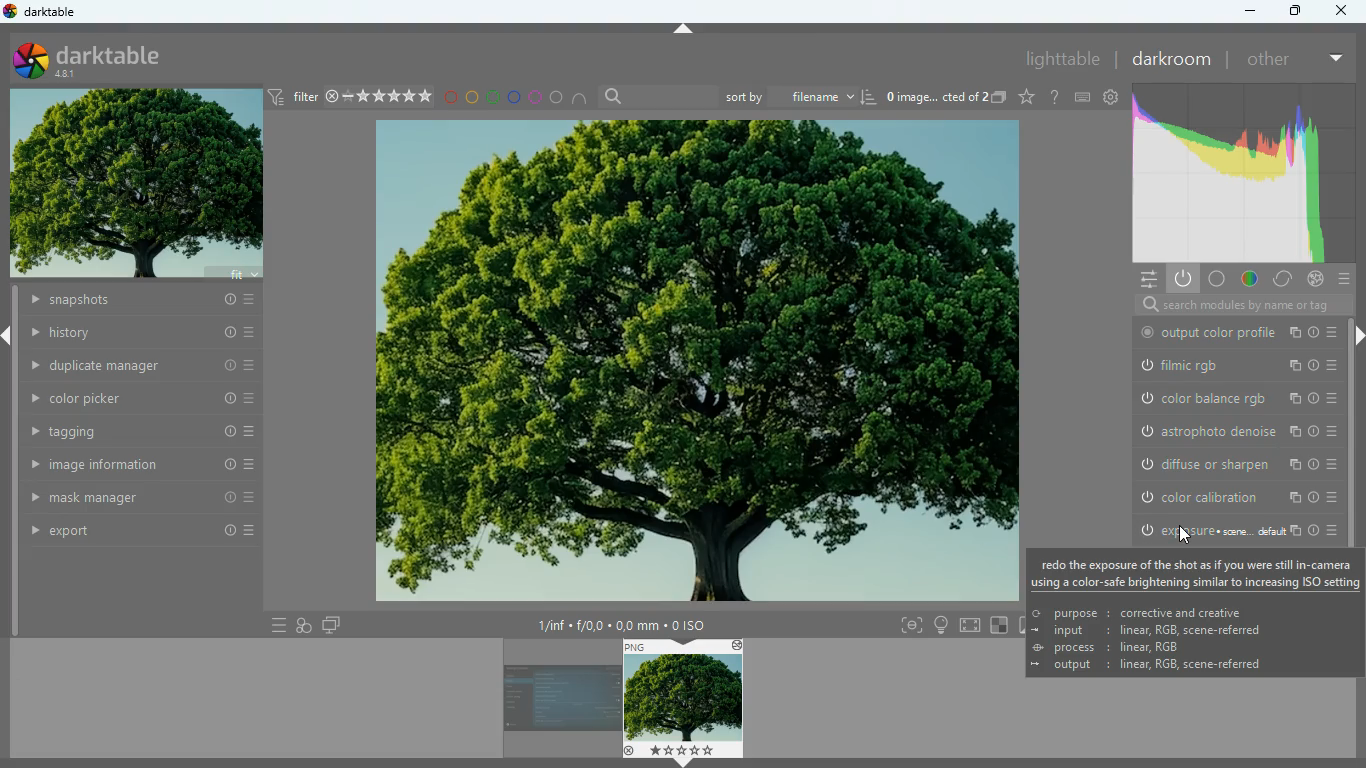 The width and height of the screenshot is (1366, 768). What do you see at coordinates (44, 12) in the screenshot?
I see `darktable` at bounding box center [44, 12].